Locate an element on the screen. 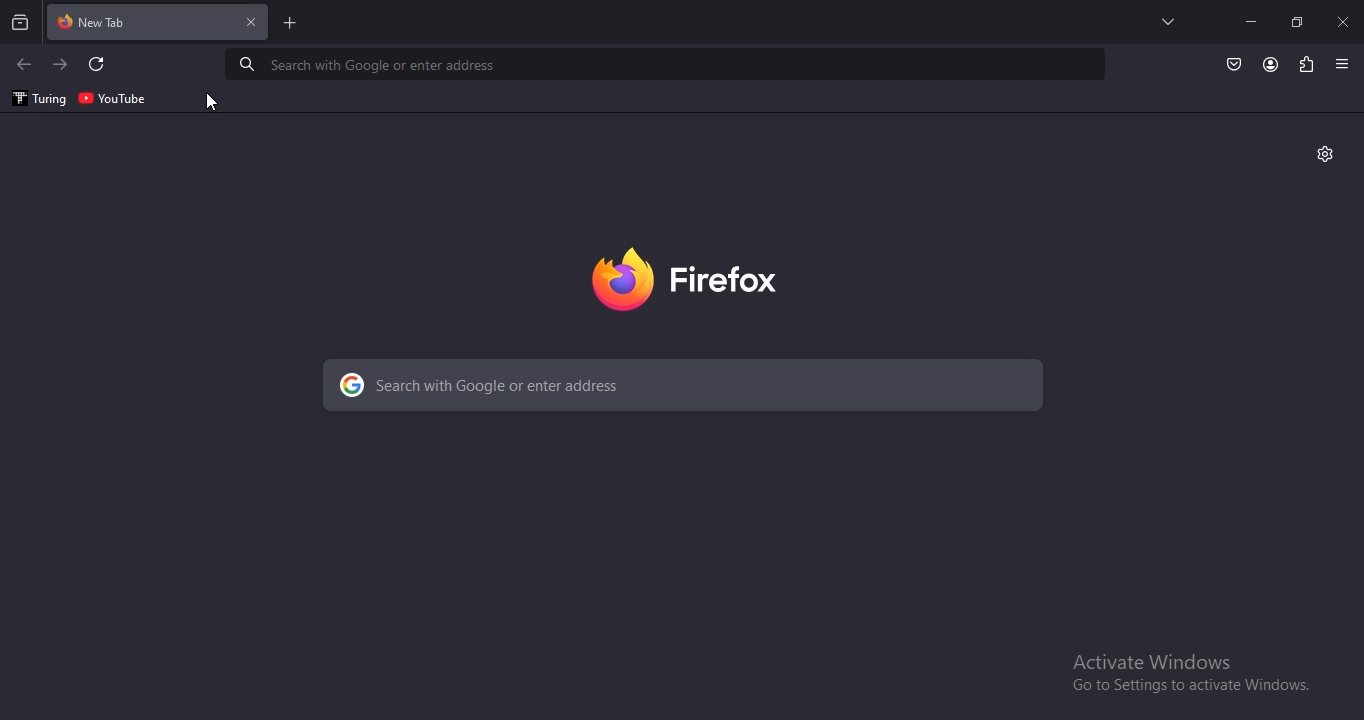  settings is located at coordinates (1325, 152).